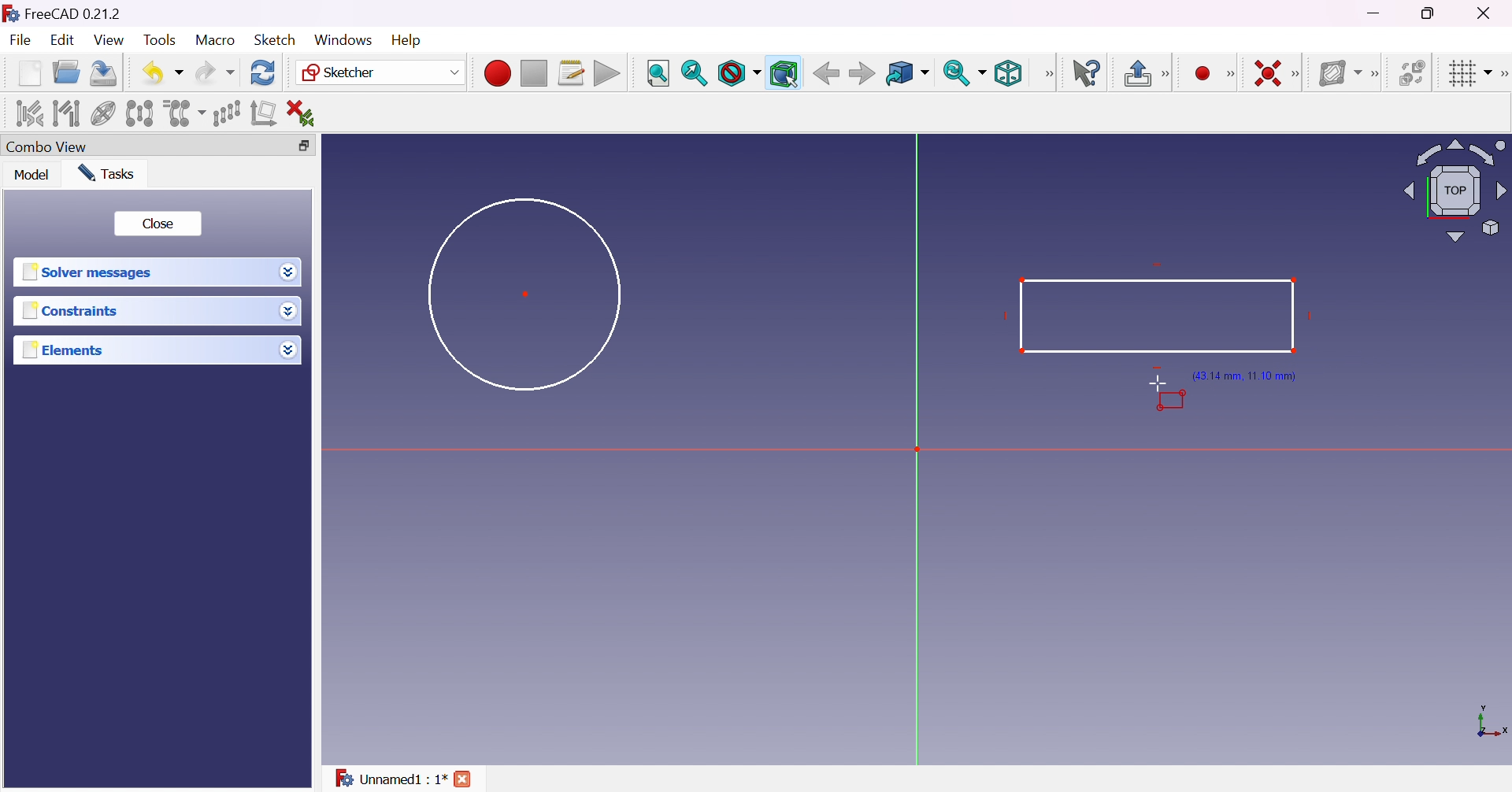 The height and width of the screenshot is (792, 1512). What do you see at coordinates (226, 112) in the screenshot?
I see `Rectangular array` at bounding box center [226, 112].